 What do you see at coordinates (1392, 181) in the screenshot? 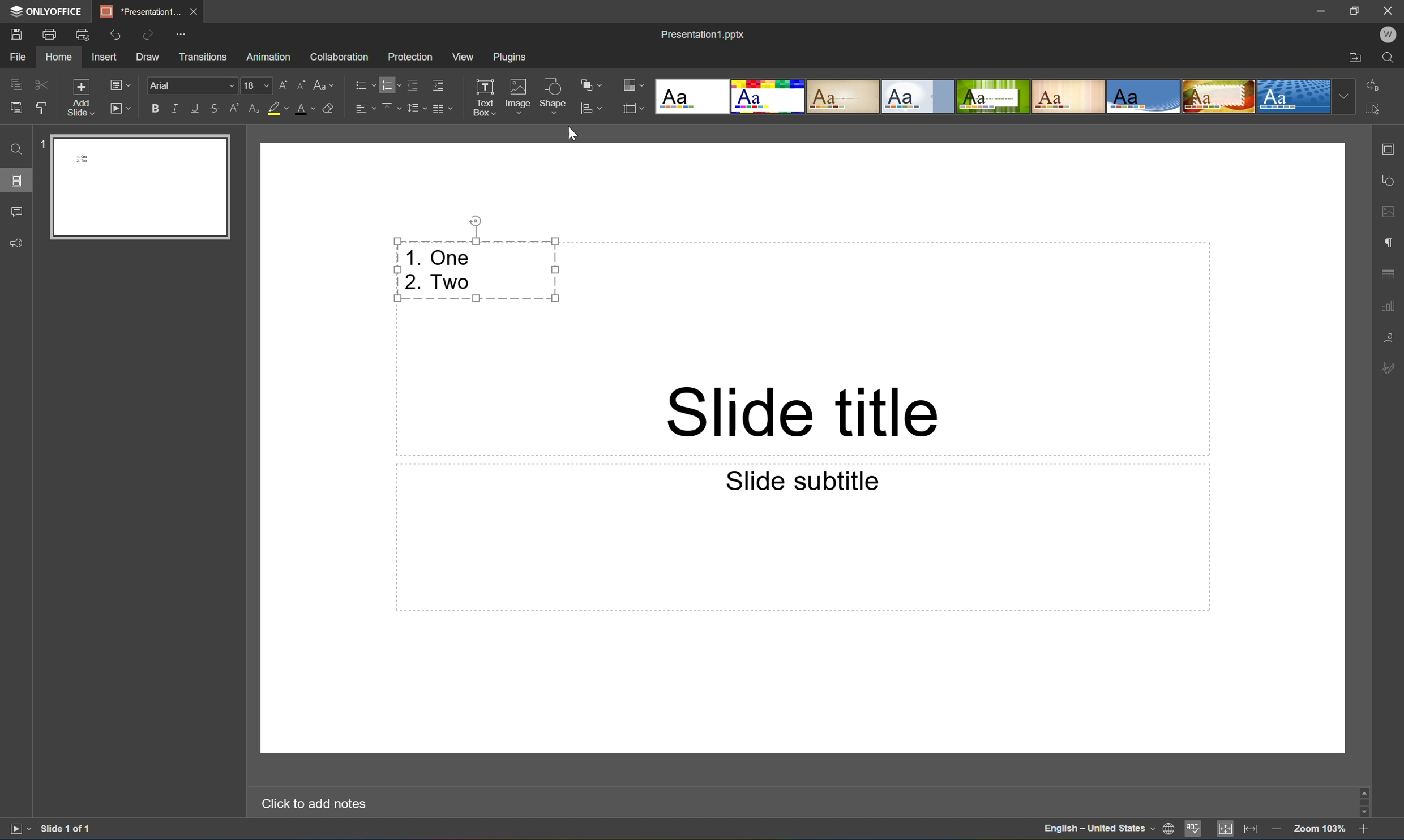
I see `Shape settings` at bounding box center [1392, 181].